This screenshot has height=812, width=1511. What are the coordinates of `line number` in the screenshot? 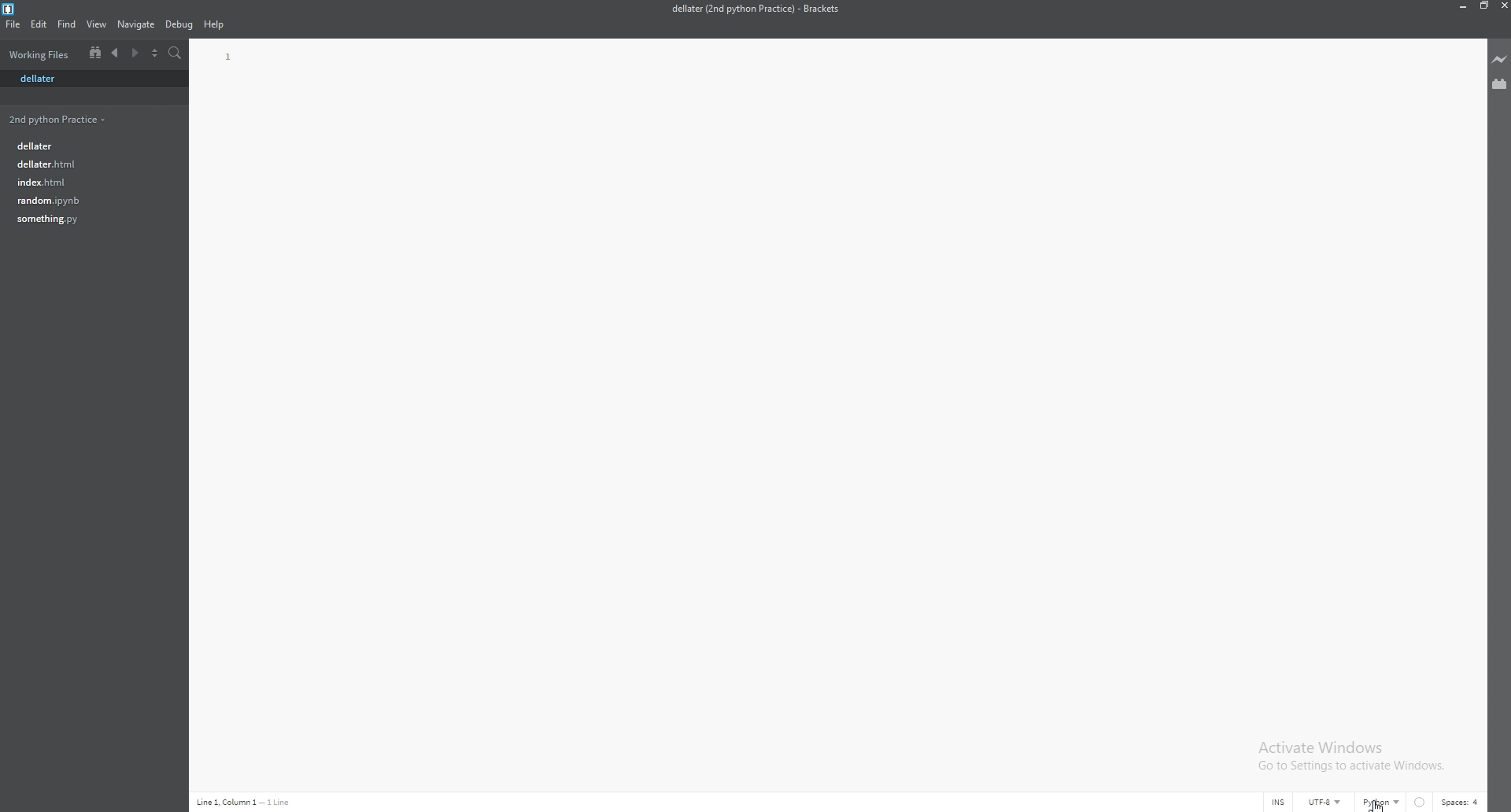 It's located at (230, 57).